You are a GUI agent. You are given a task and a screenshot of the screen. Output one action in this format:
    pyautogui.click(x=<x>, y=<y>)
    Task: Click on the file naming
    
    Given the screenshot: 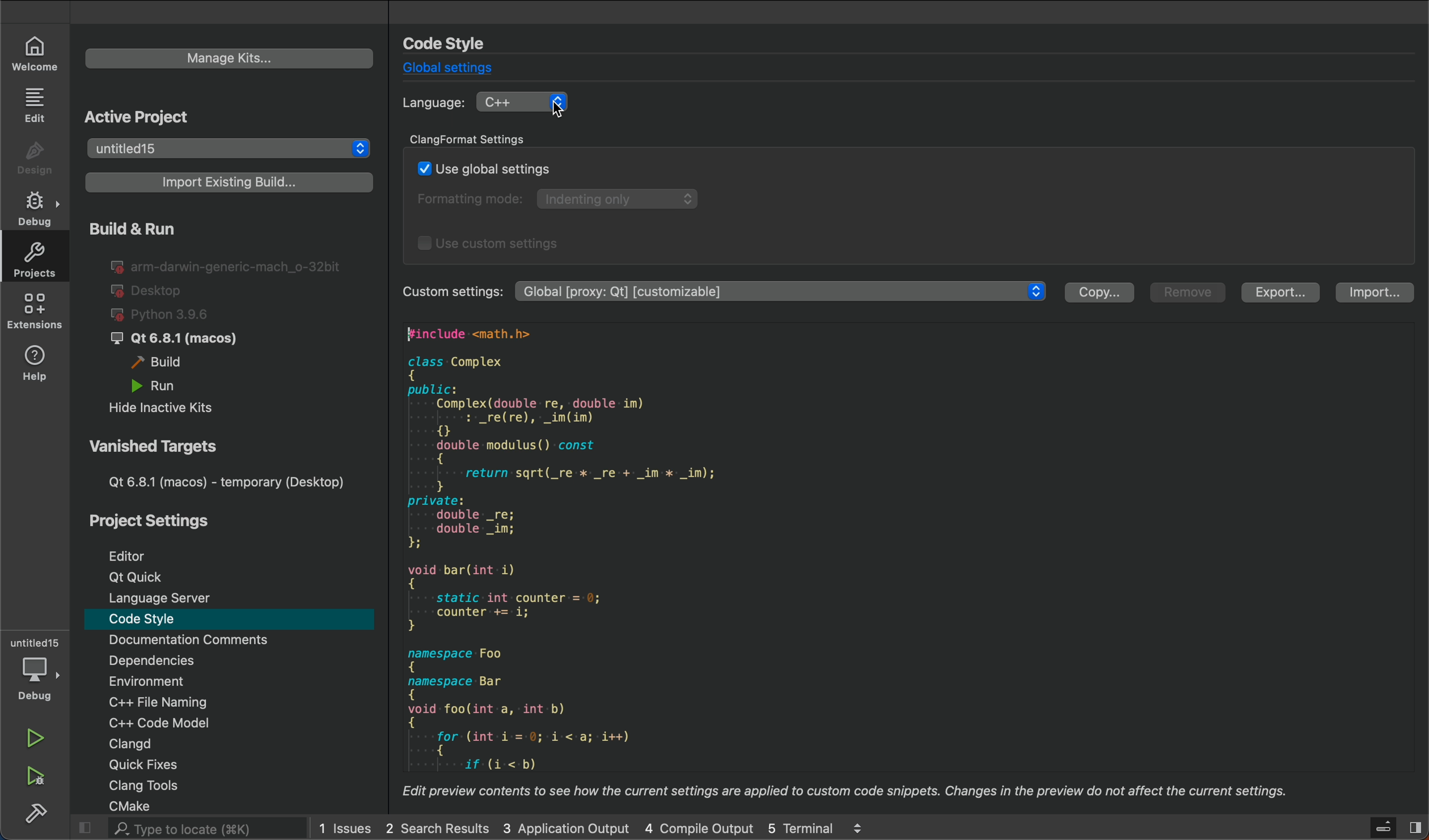 What is the action you would take?
    pyautogui.click(x=172, y=701)
    